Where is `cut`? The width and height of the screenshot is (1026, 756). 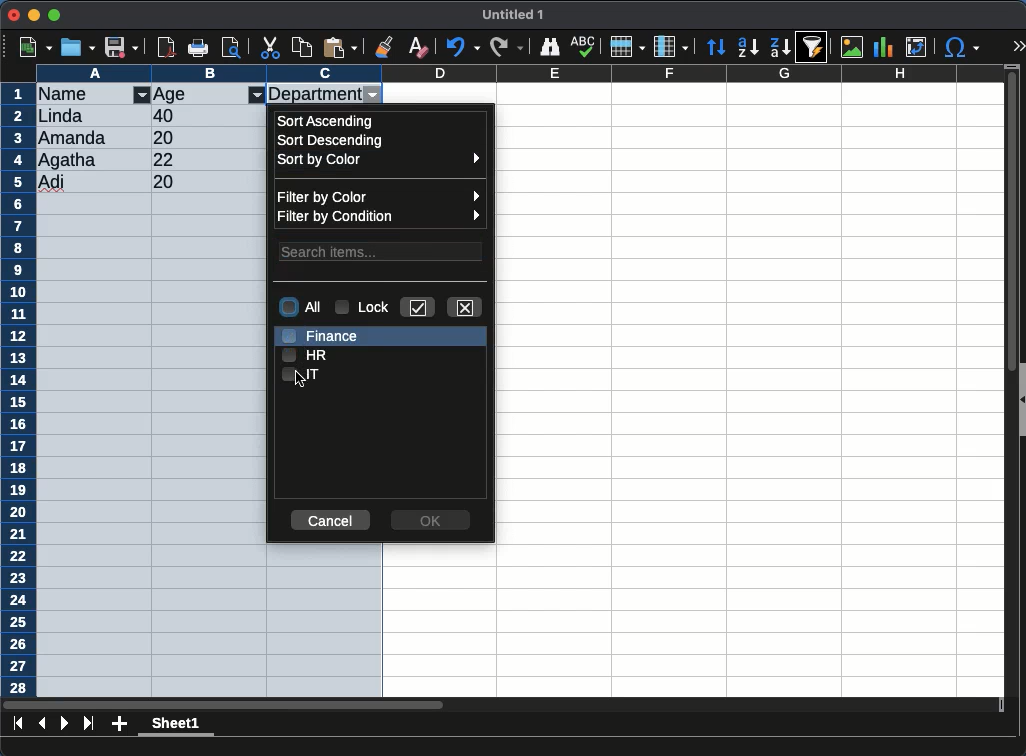
cut is located at coordinates (271, 47).